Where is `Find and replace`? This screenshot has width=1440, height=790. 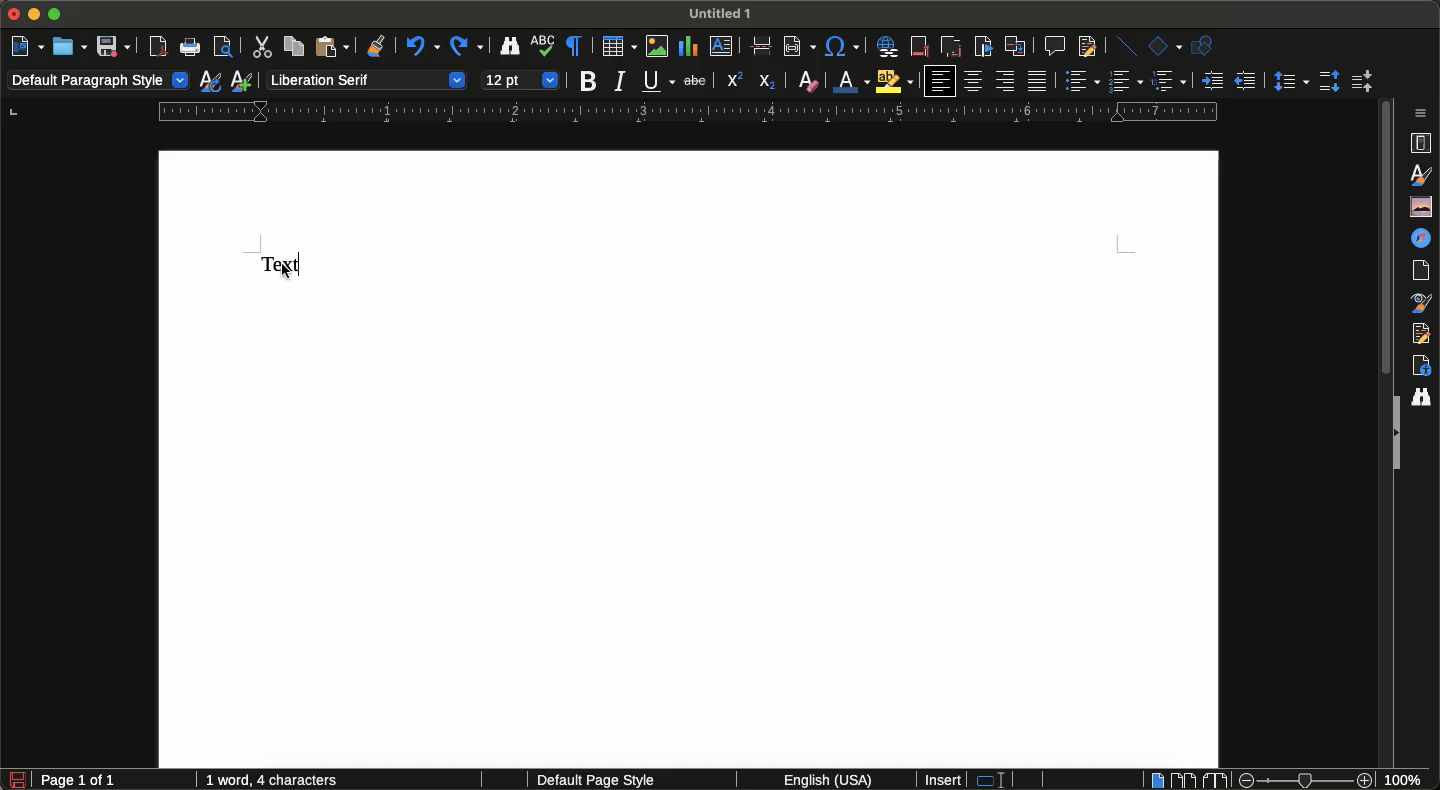 Find and replace is located at coordinates (510, 49).